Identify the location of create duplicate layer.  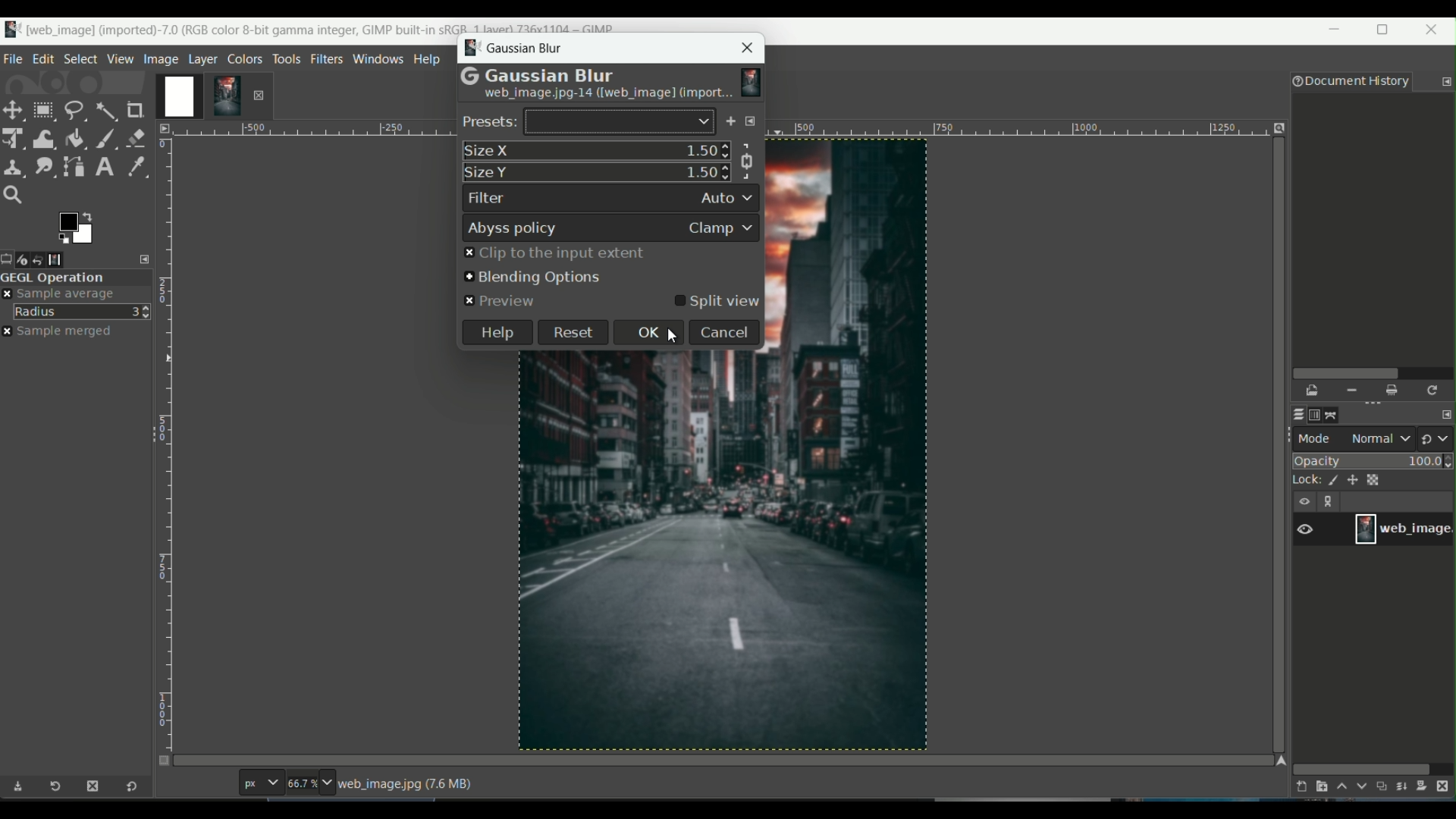
(1382, 788).